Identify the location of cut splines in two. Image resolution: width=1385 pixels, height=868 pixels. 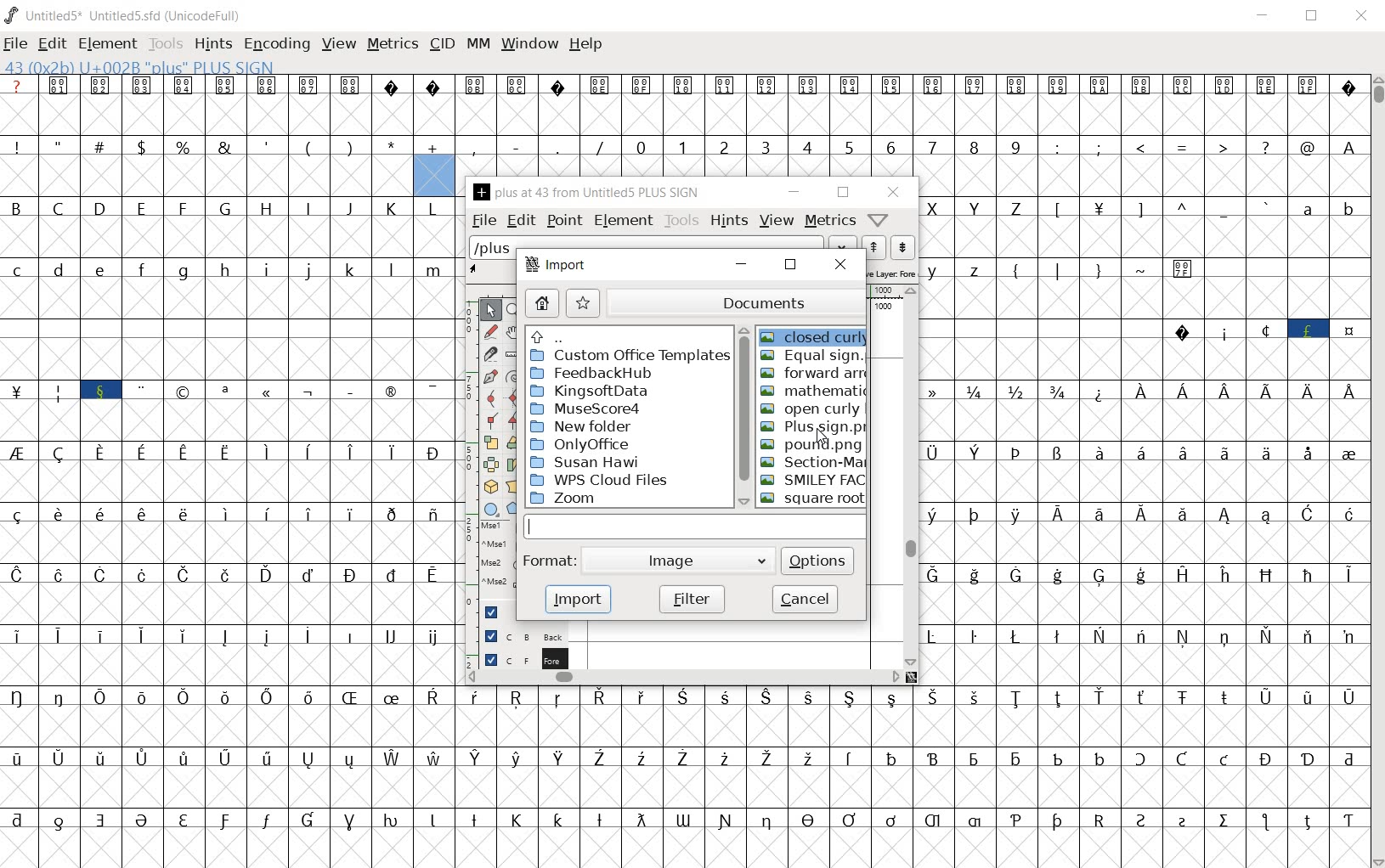
(489, 355).